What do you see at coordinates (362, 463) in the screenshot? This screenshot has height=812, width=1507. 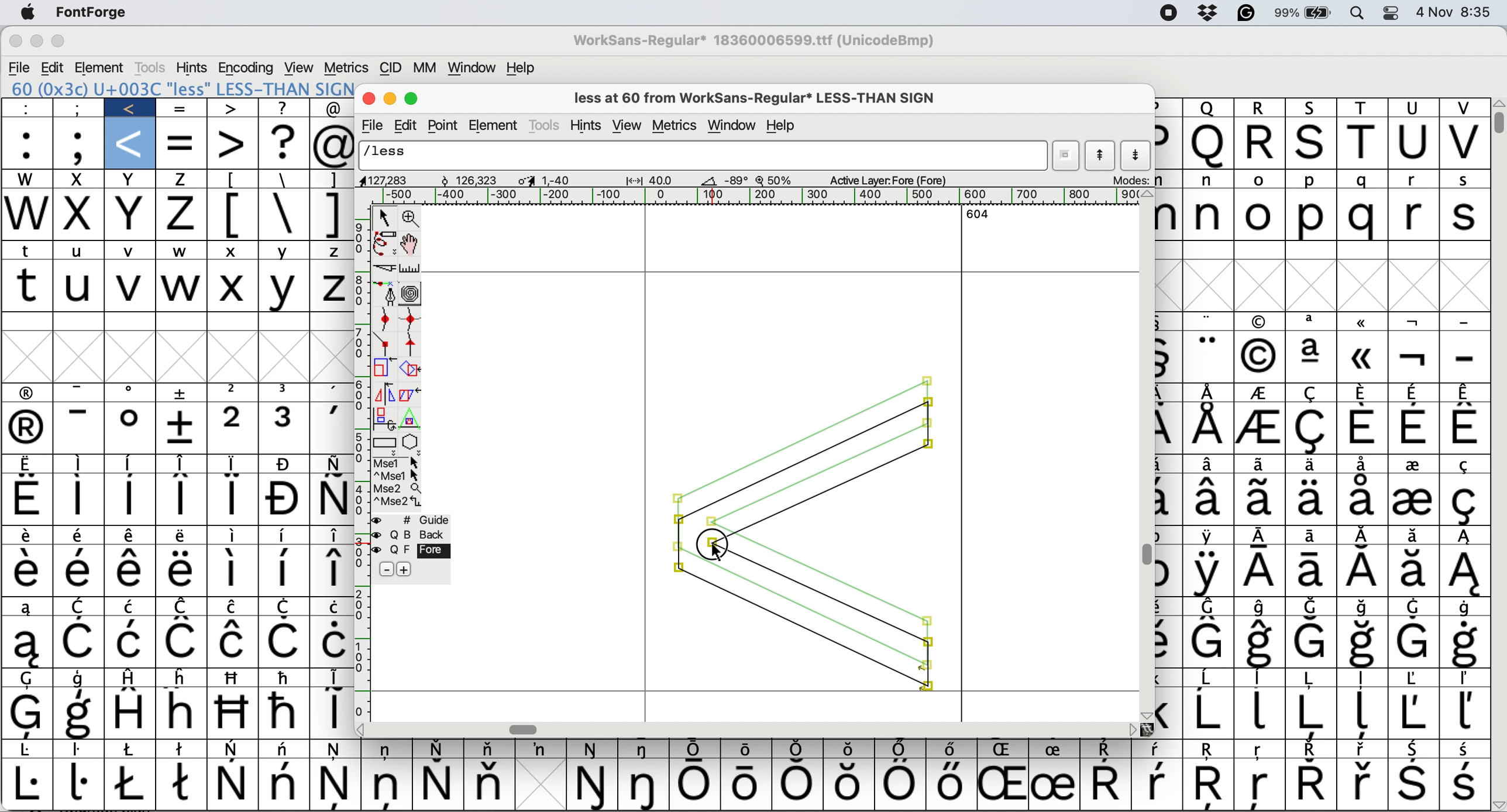 I see `vertical scale` at bounding box center [362, 463].